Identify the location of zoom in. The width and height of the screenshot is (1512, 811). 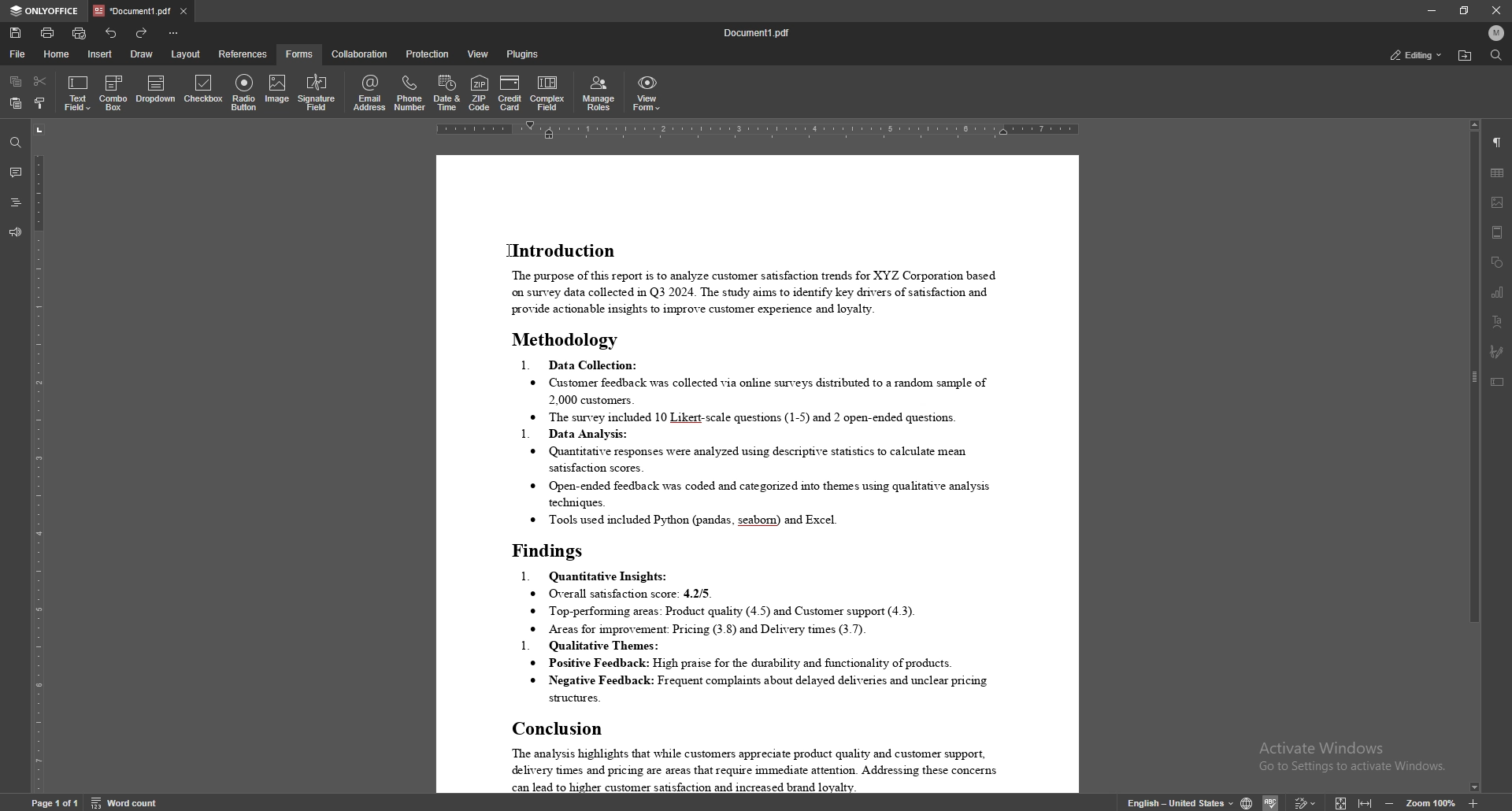
(1473, 803).